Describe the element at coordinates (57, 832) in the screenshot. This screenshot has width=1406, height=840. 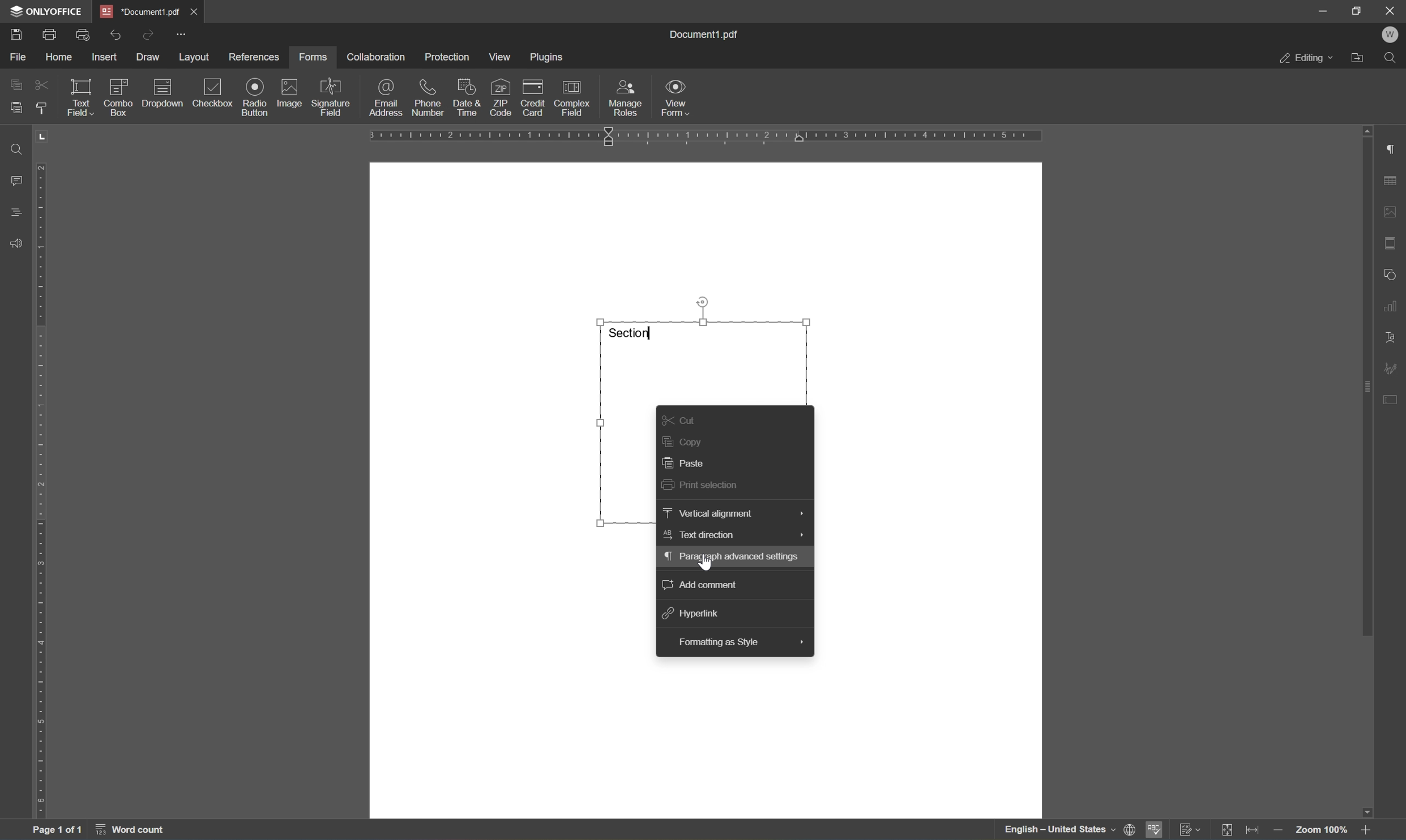
I see `page 1 of 1` at that location.